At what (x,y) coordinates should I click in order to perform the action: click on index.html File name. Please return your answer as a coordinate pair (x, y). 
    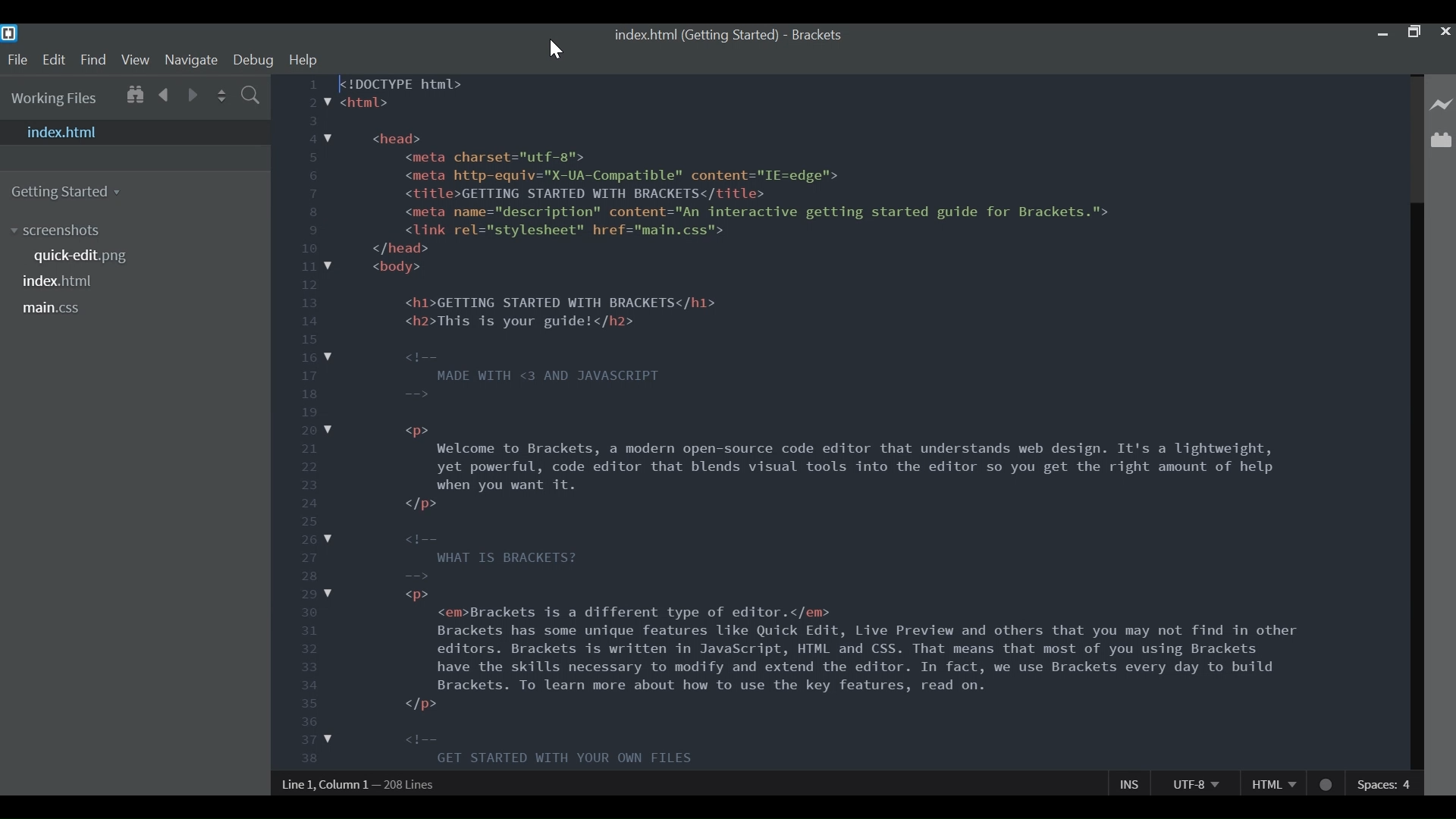
    Looking at the image, I should click on (62, 281).